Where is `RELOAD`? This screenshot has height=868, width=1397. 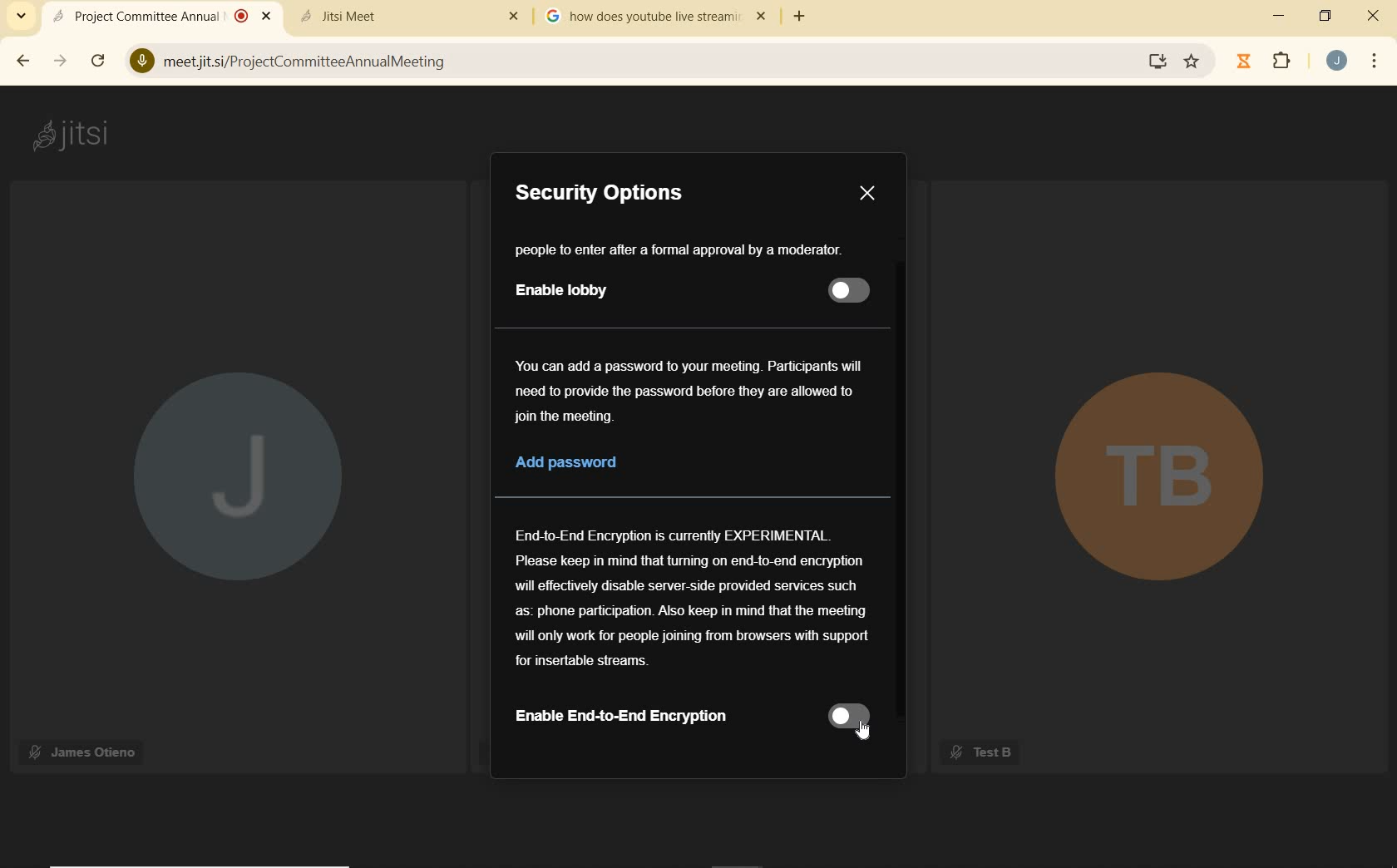 RELOAD is located at coordinates (98, 60).